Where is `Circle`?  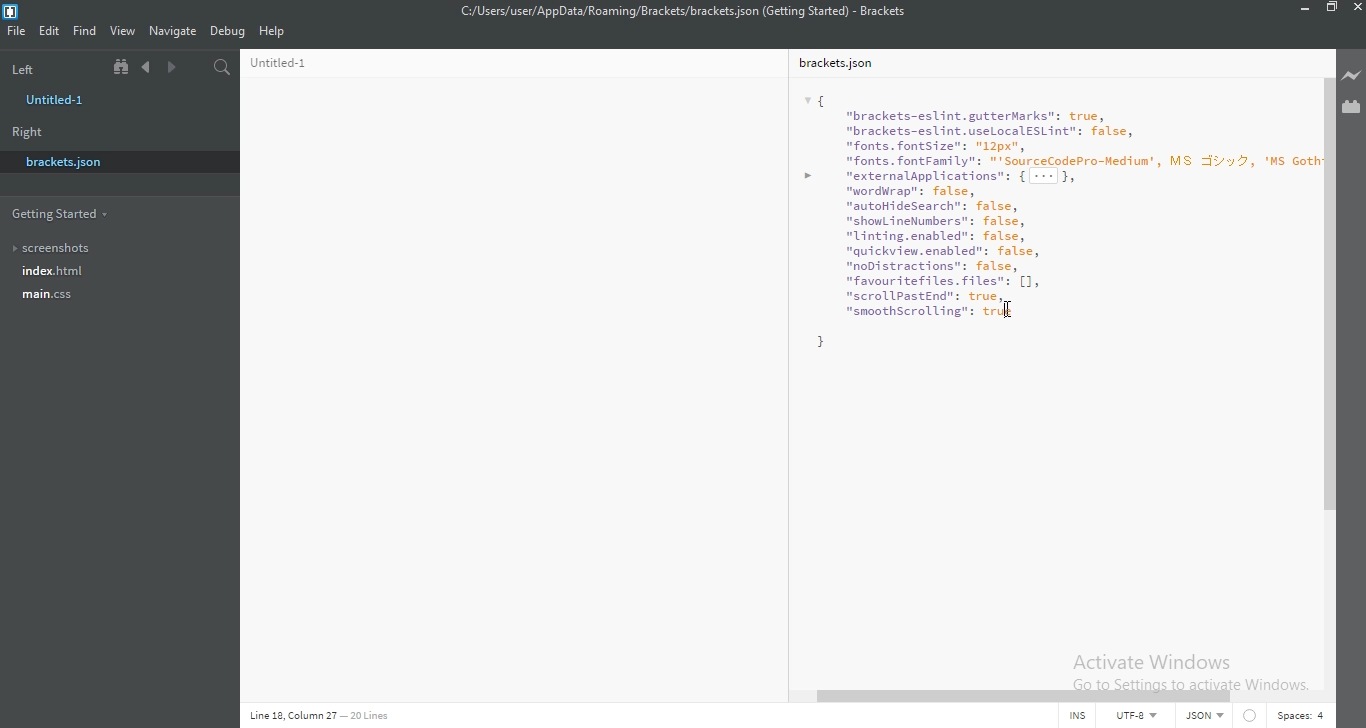
Circle is located at coordinates (1257, 718).